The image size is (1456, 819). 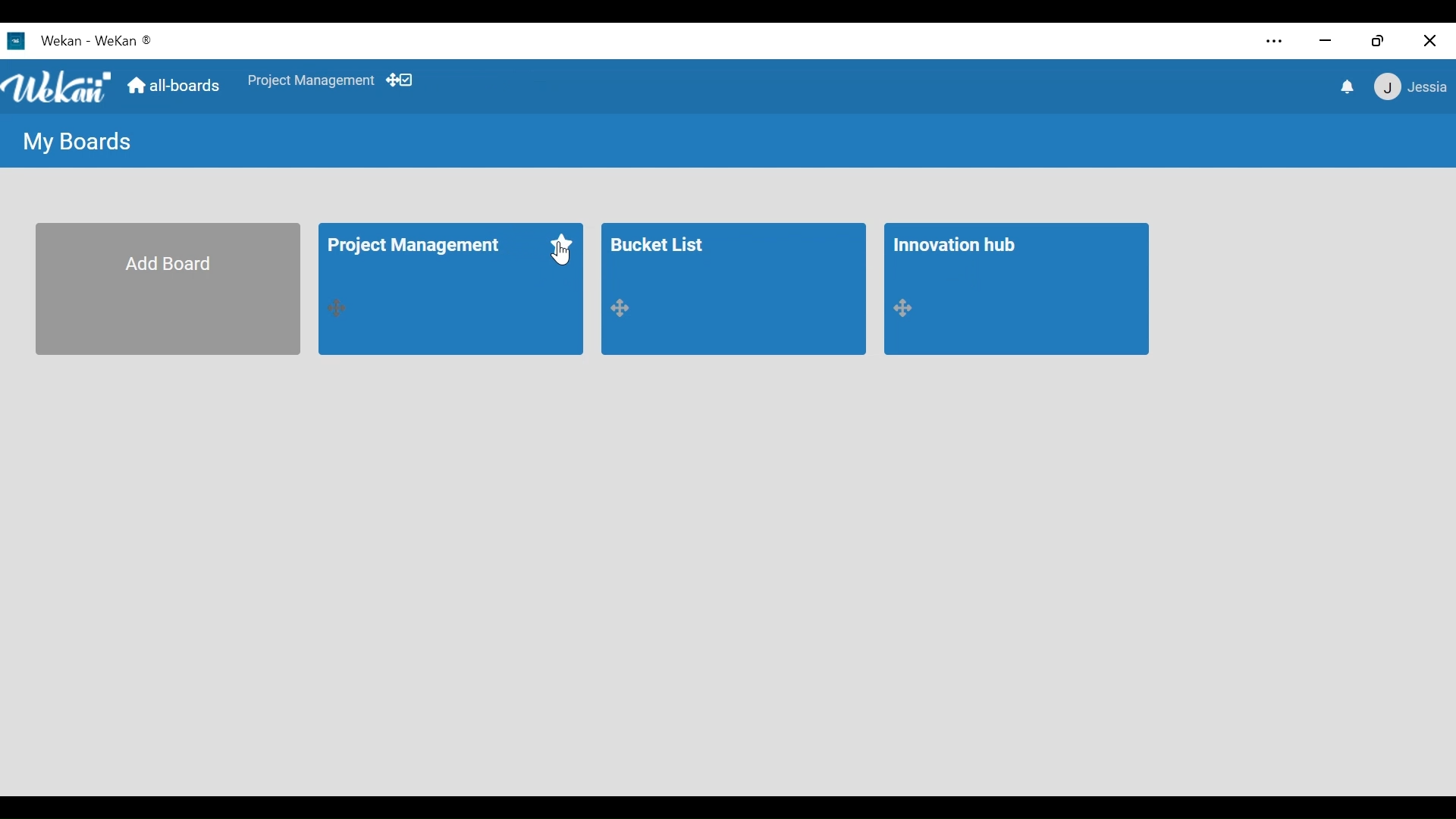 I want to click on Desktop drag handles, so click(x=626, y=309).